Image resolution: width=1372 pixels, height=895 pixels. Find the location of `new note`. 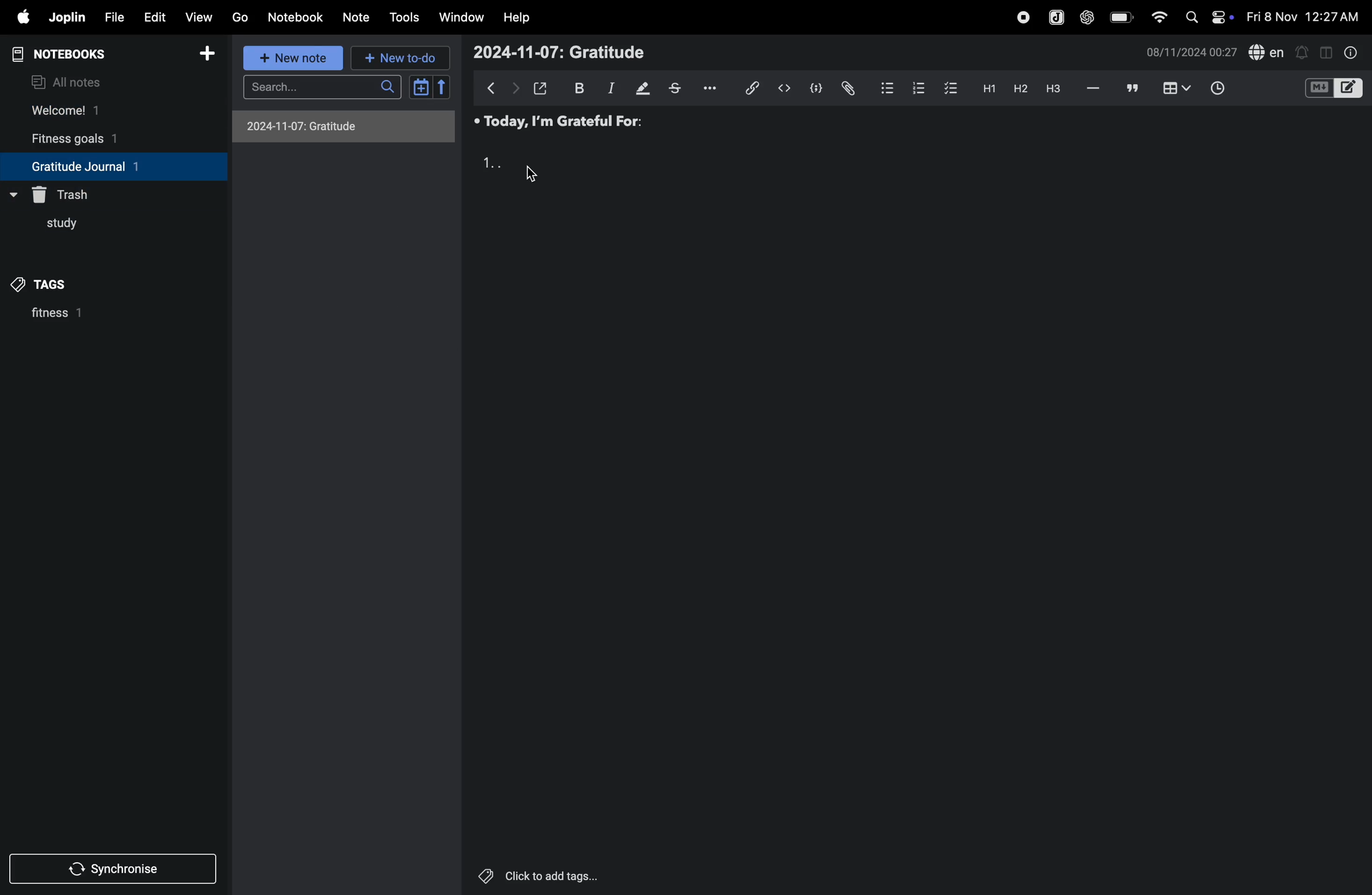

new note is located at coordinates (295, 59).